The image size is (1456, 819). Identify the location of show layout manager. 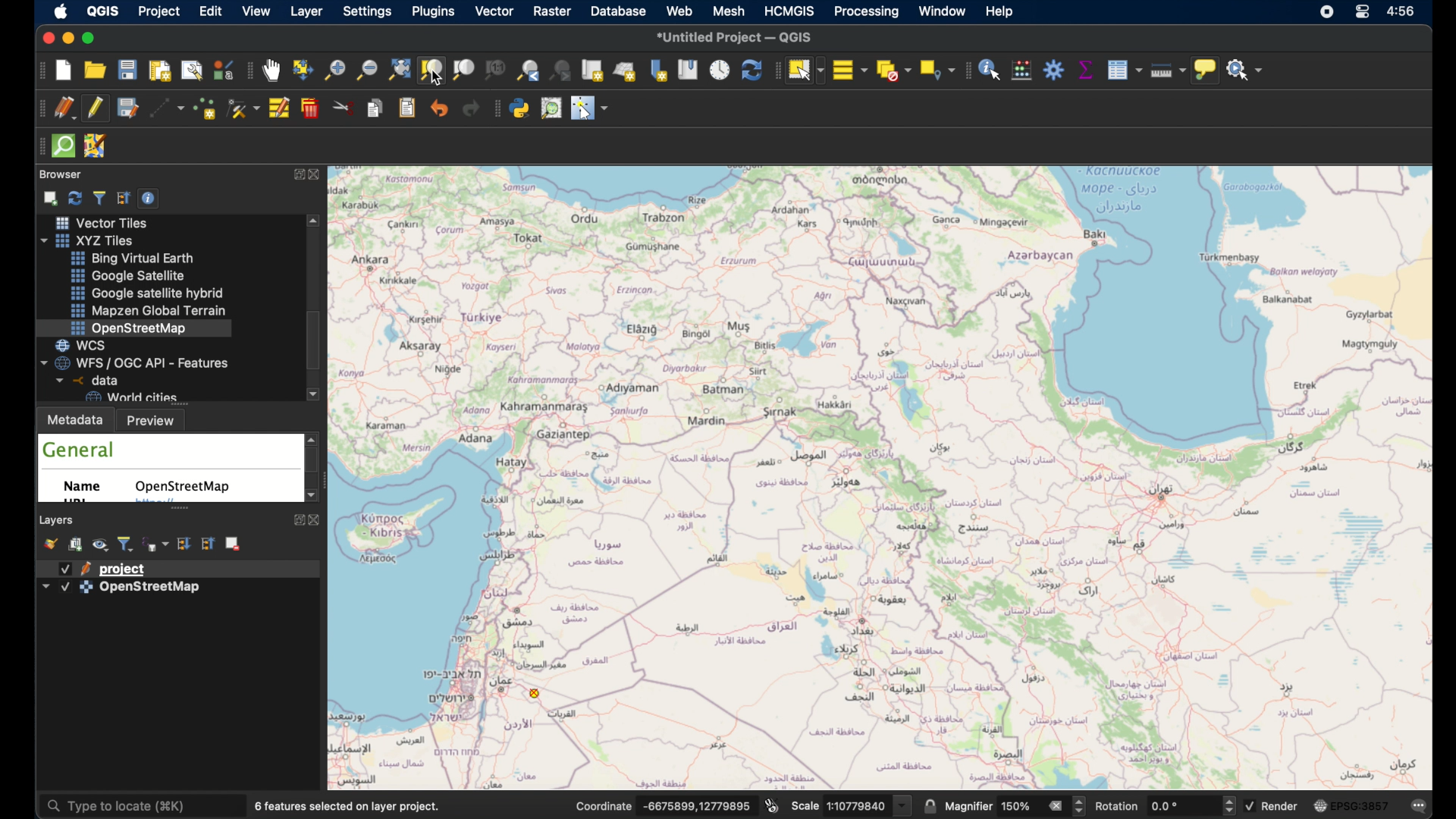
(193, 72).